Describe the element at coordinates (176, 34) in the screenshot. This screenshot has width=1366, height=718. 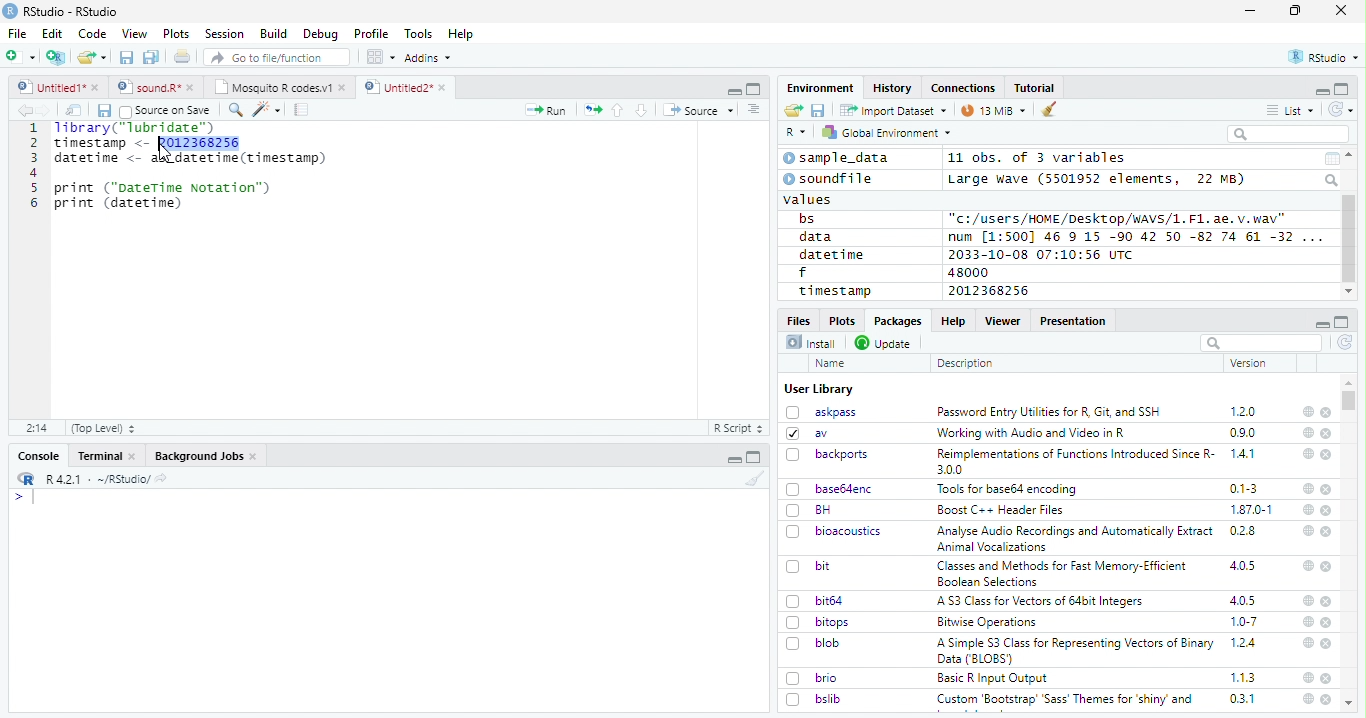
I see `Plots` at that location.